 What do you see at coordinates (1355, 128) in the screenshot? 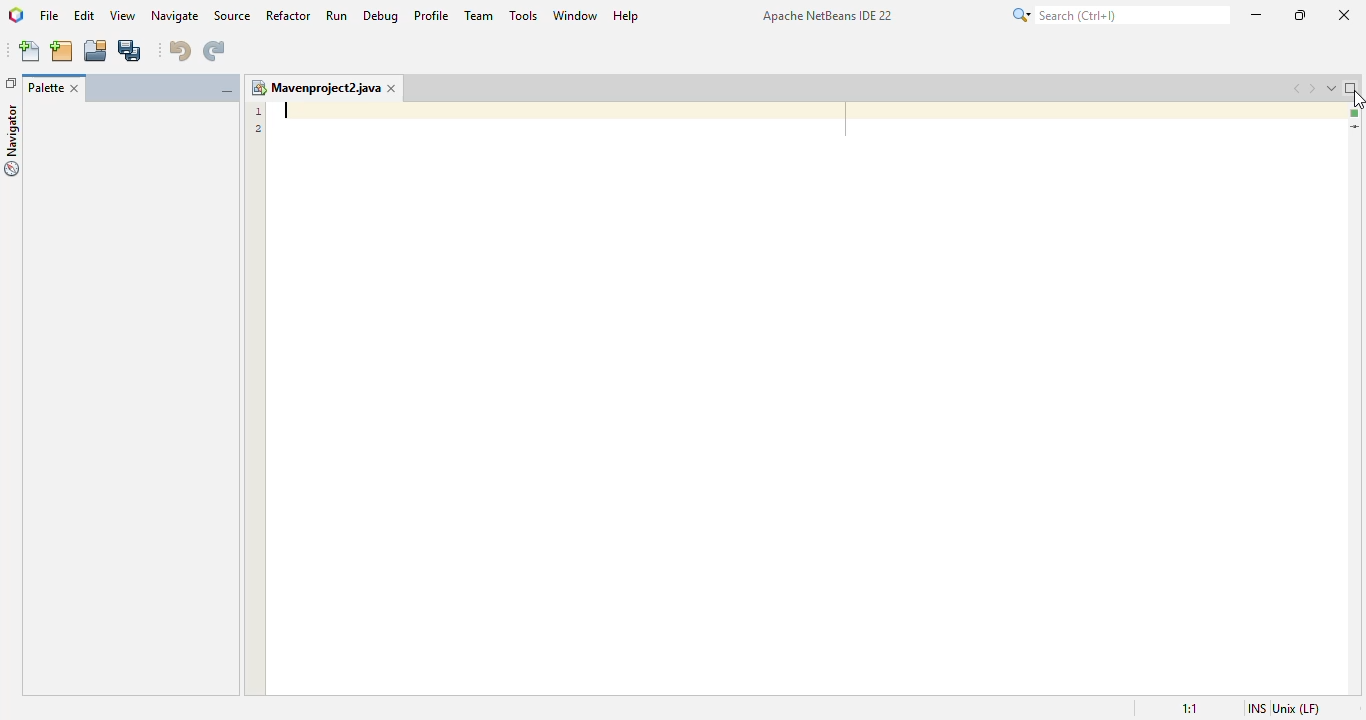
I see `current line` at bounding box center [1355, 128].